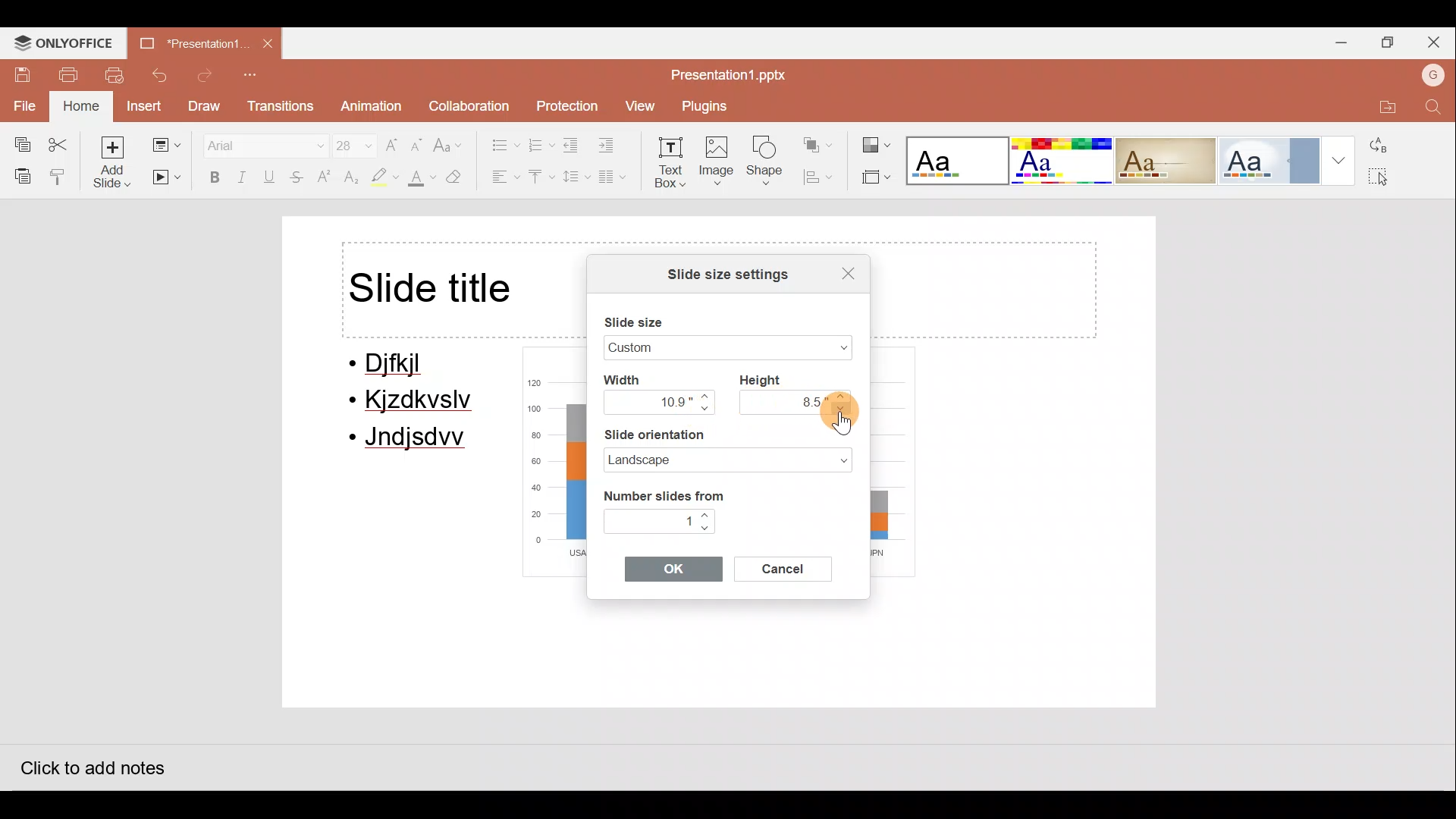  I want to click on Navigate down, so click(705, 410).